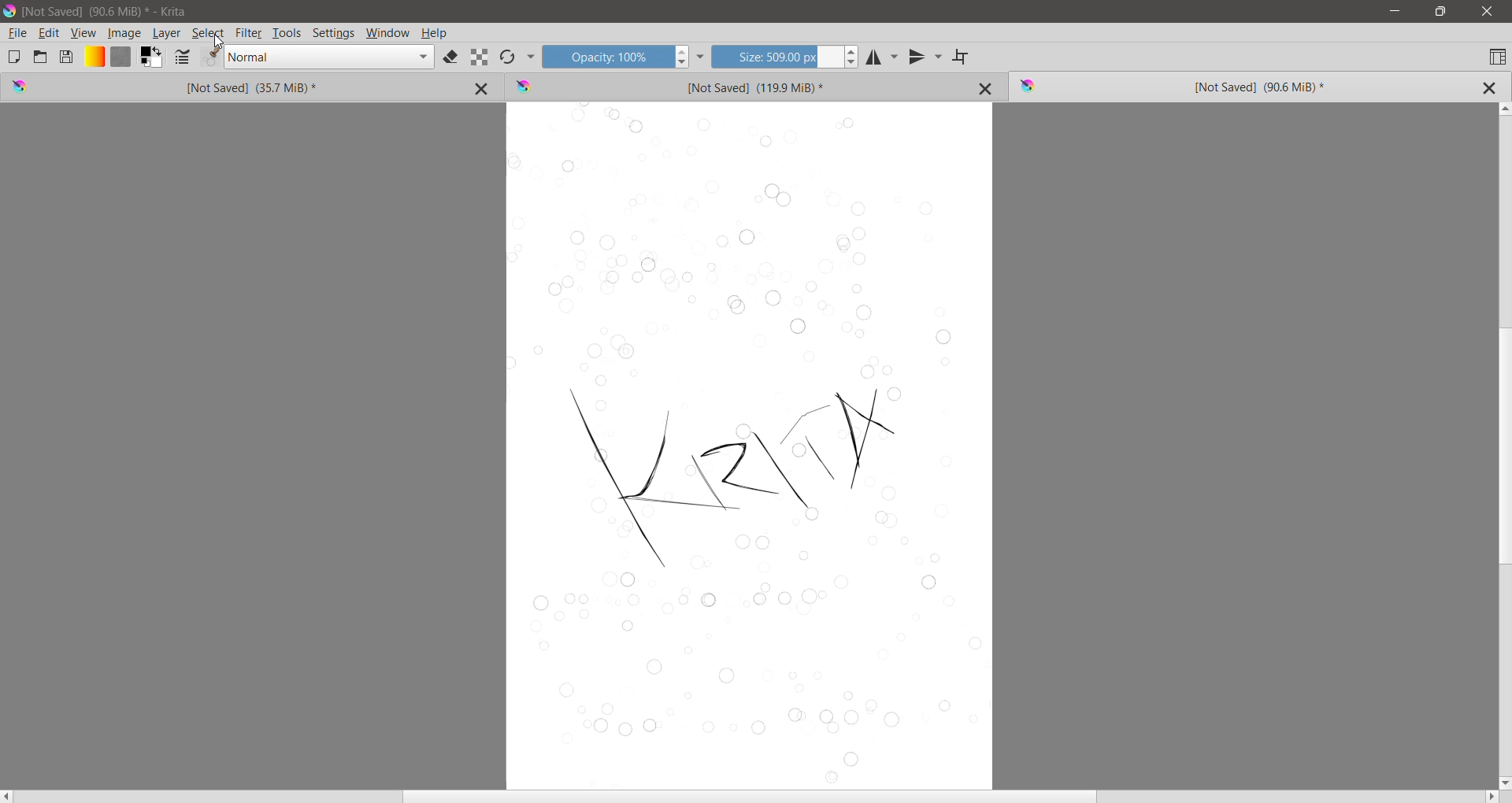 The image size is (1512, 803). Describe the element at coordinates (249, 33) in the screenshot. I see `Filter` at that location.